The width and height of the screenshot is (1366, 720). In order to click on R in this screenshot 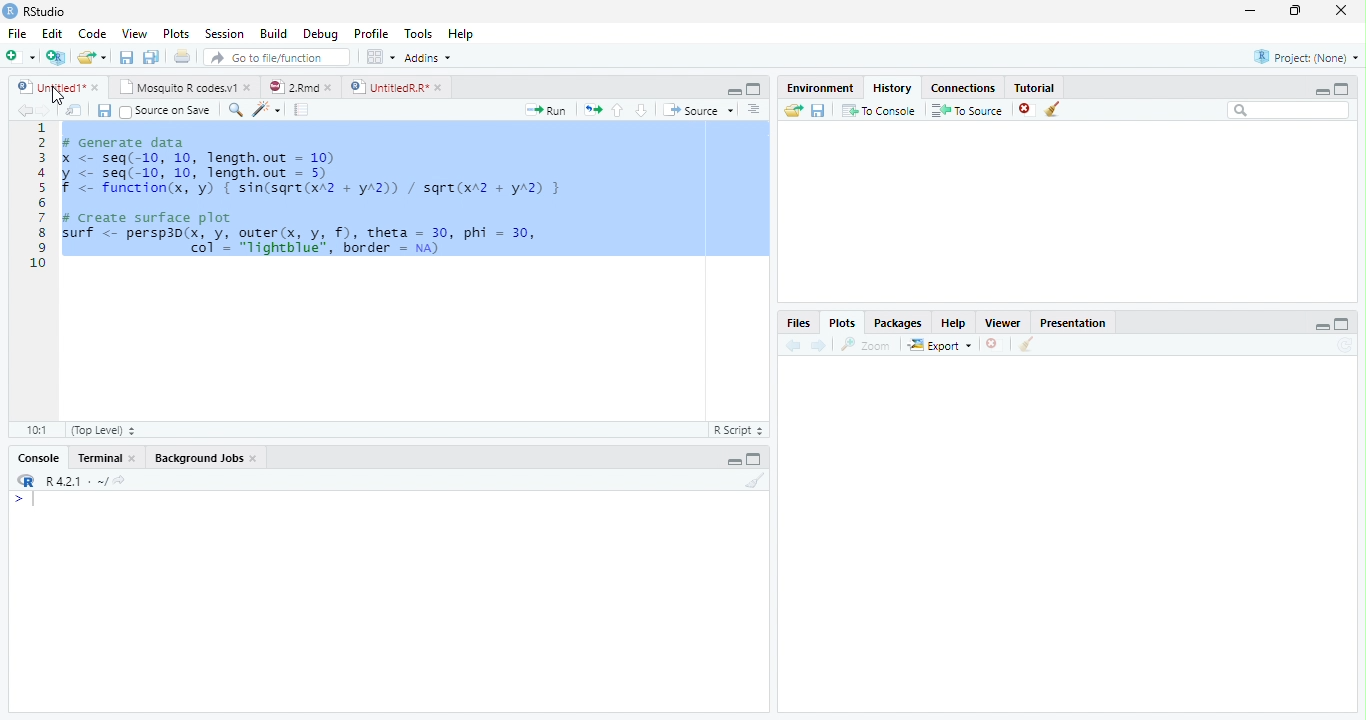, I will do `click(24, 480)`.